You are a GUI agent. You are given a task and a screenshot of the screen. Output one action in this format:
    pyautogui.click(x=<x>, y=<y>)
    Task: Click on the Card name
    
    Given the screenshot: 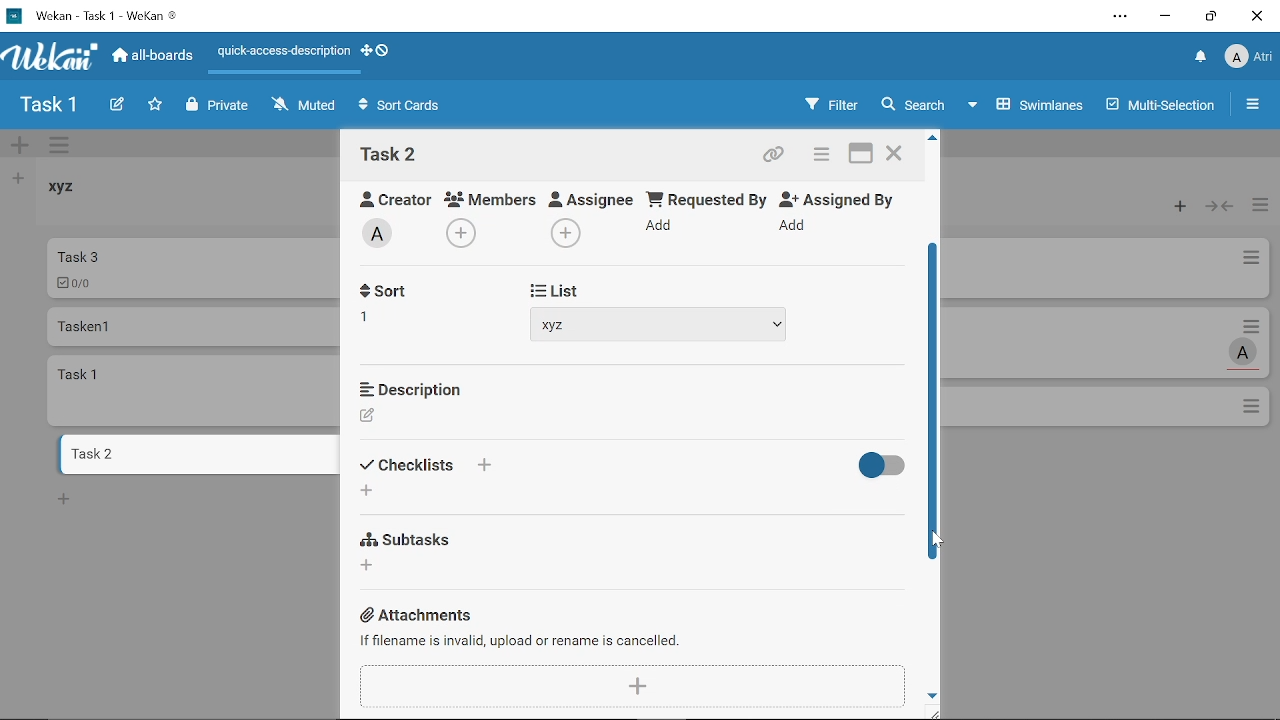 What is the action you would take?
    pyautogui.click(x=389, y=154)
    